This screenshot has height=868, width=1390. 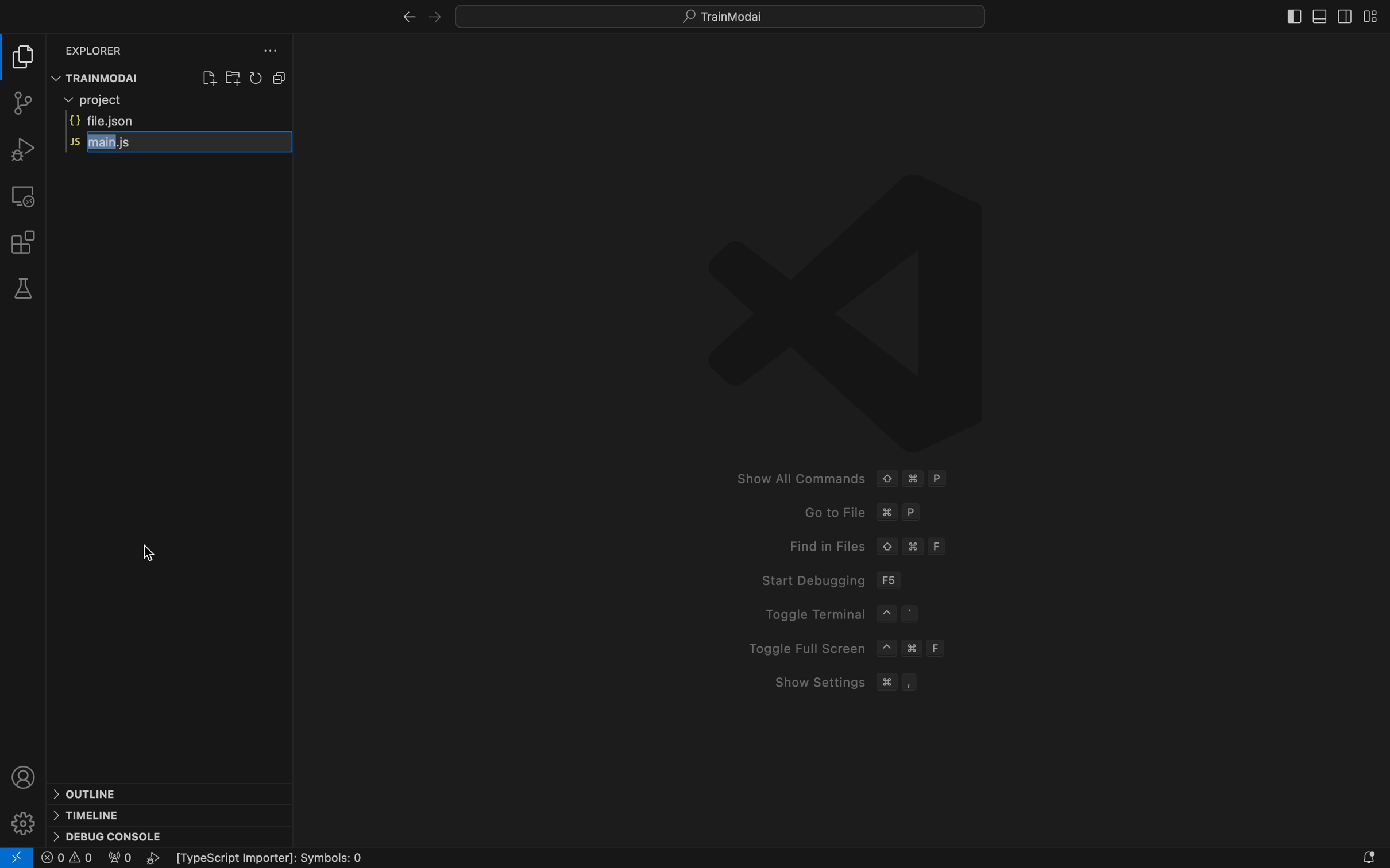 I want to click on create folder, so click(x=232, y=78).